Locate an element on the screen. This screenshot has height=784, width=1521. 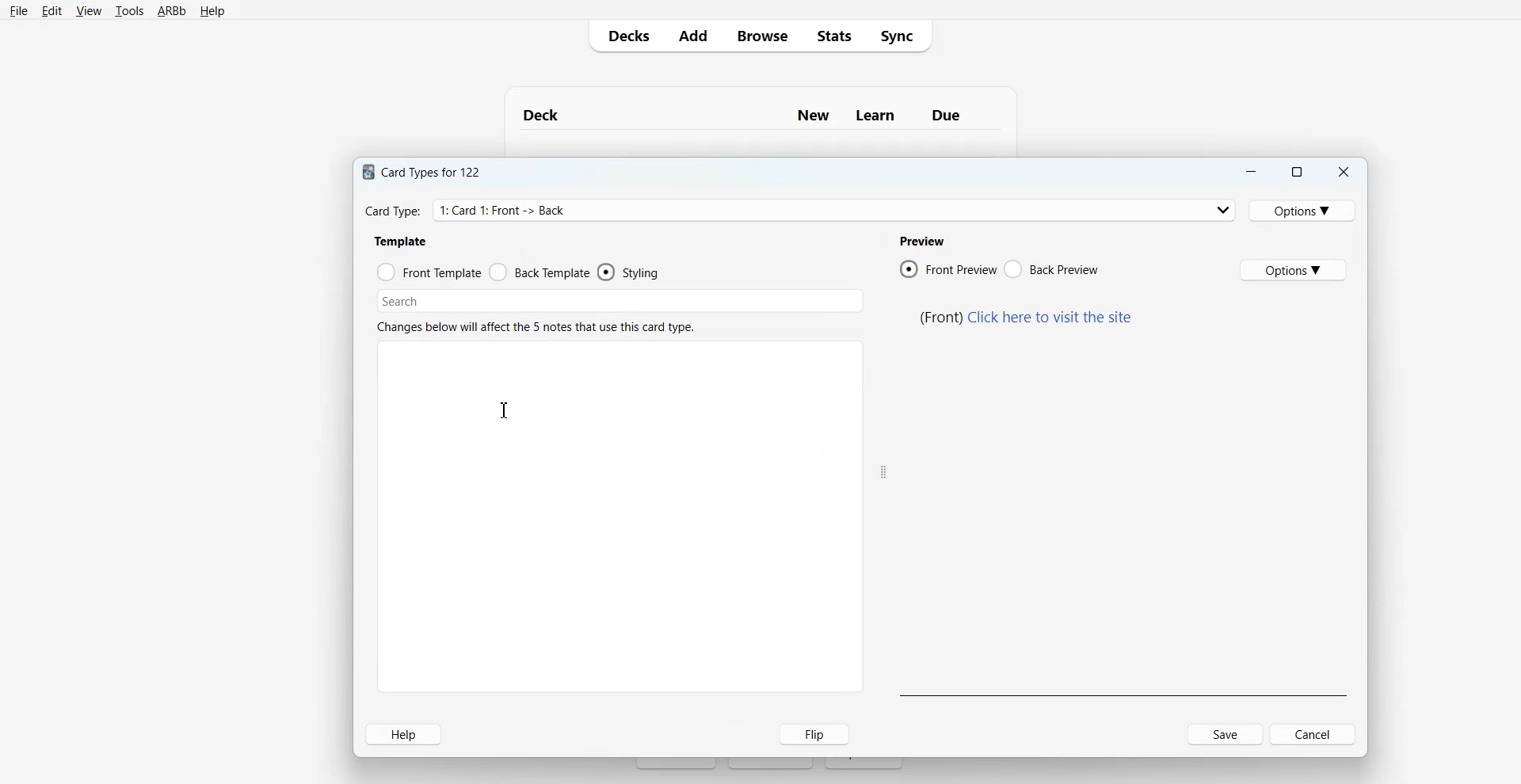
Card Type is located at coordinates (797, 211).